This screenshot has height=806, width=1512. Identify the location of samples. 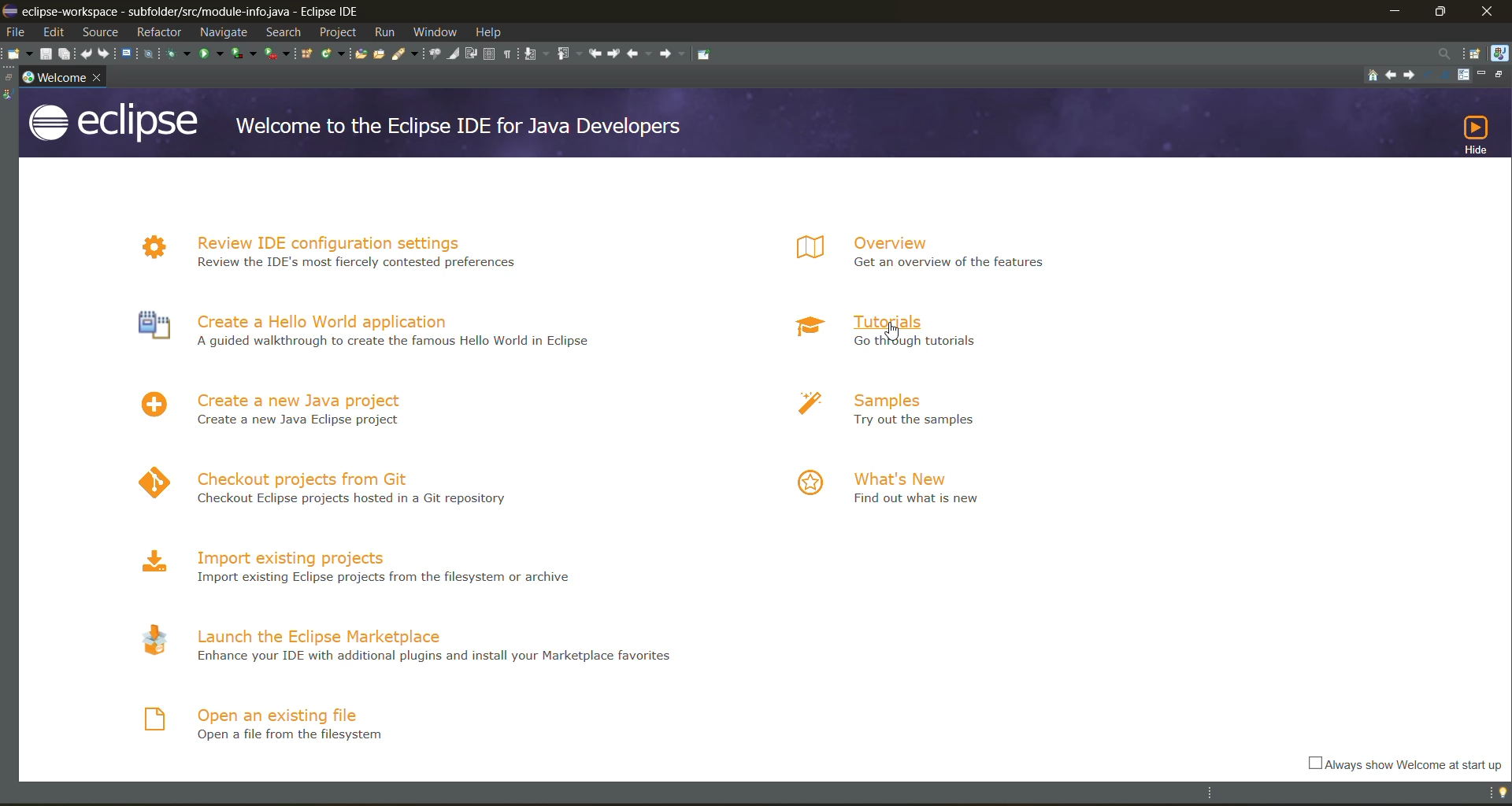
(897, 412).